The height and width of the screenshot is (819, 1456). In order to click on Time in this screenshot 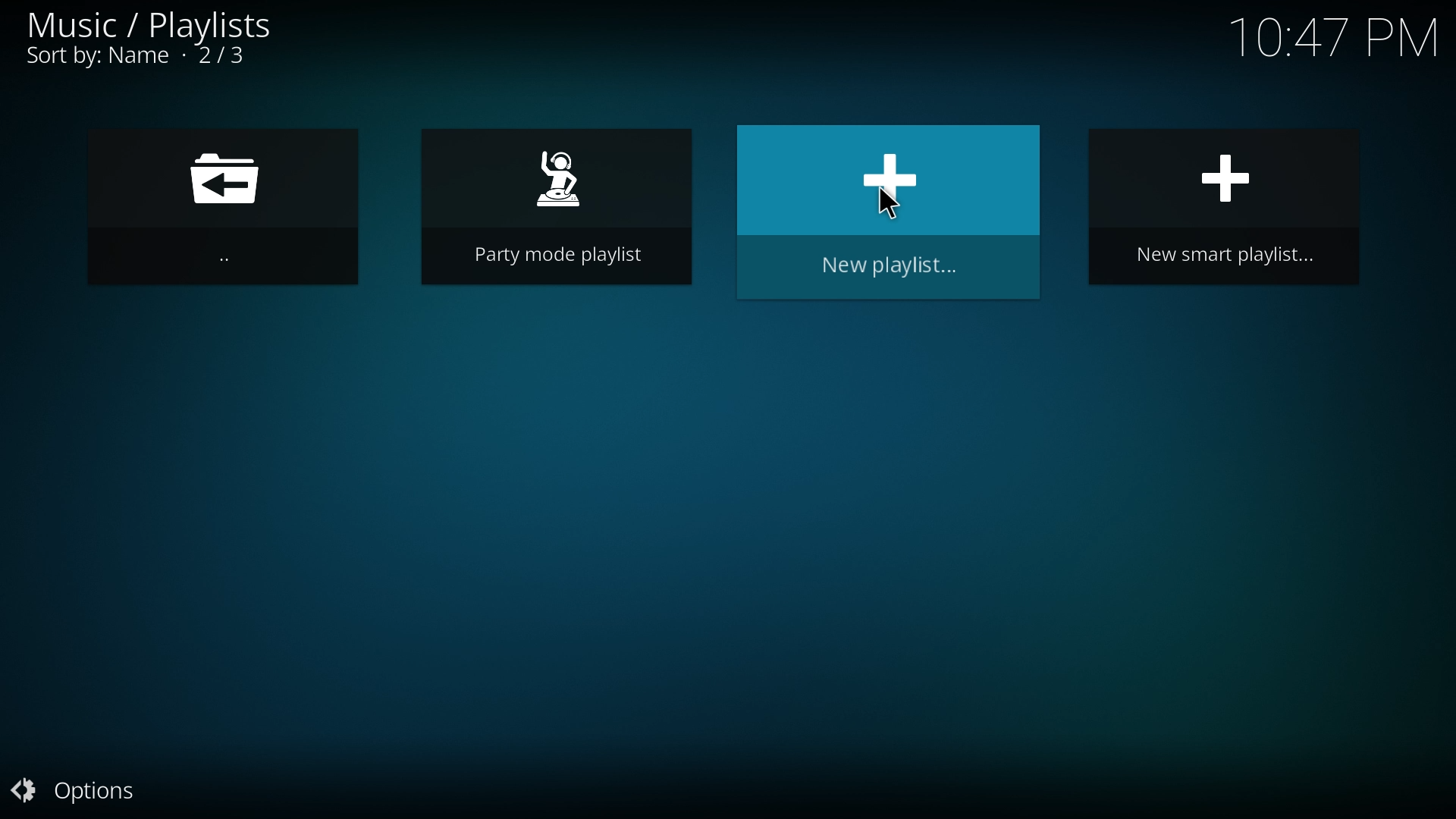, I will do `click(1338, 38)`.